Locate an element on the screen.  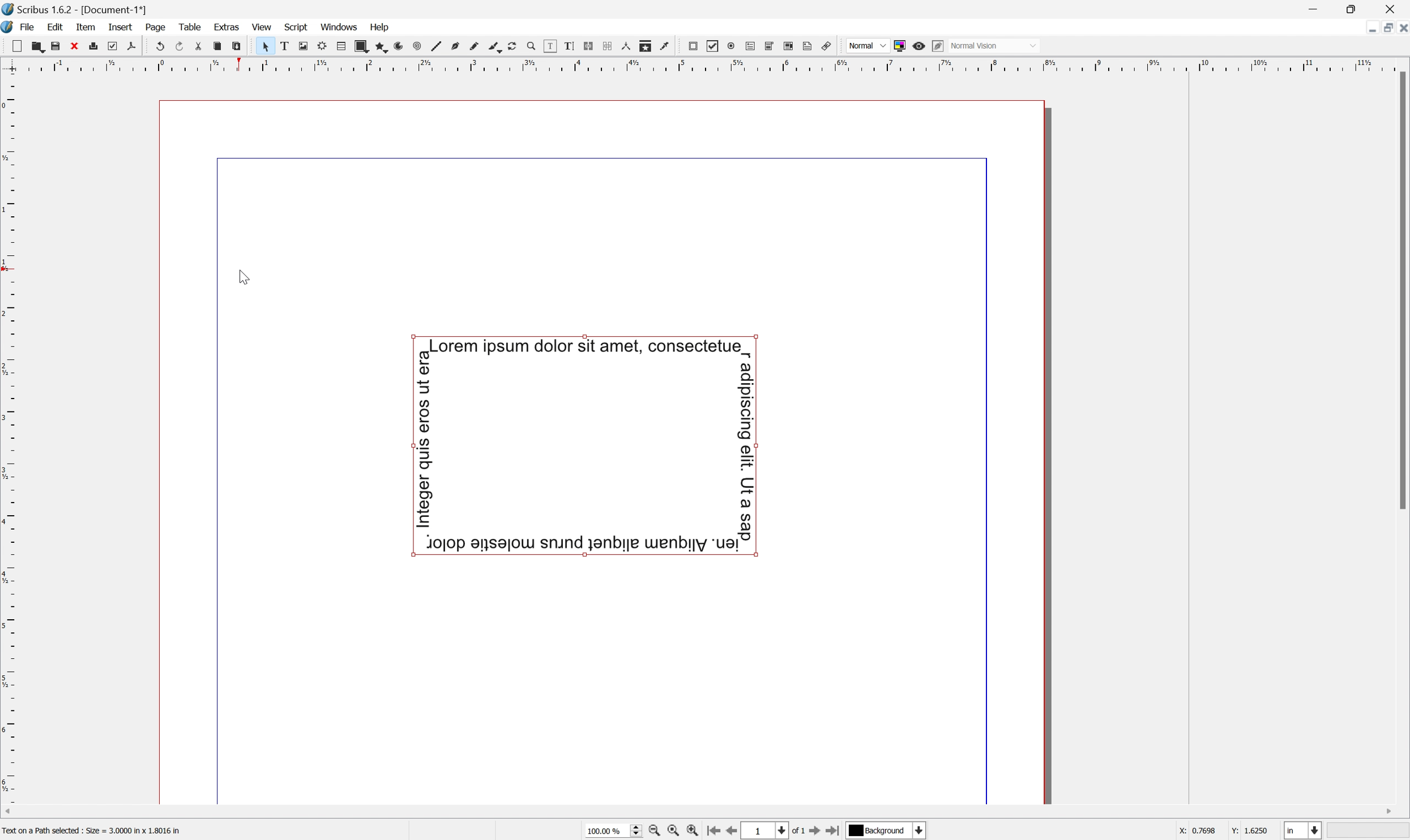
Y: 1.6250 is located at coordinates (1249, 833).